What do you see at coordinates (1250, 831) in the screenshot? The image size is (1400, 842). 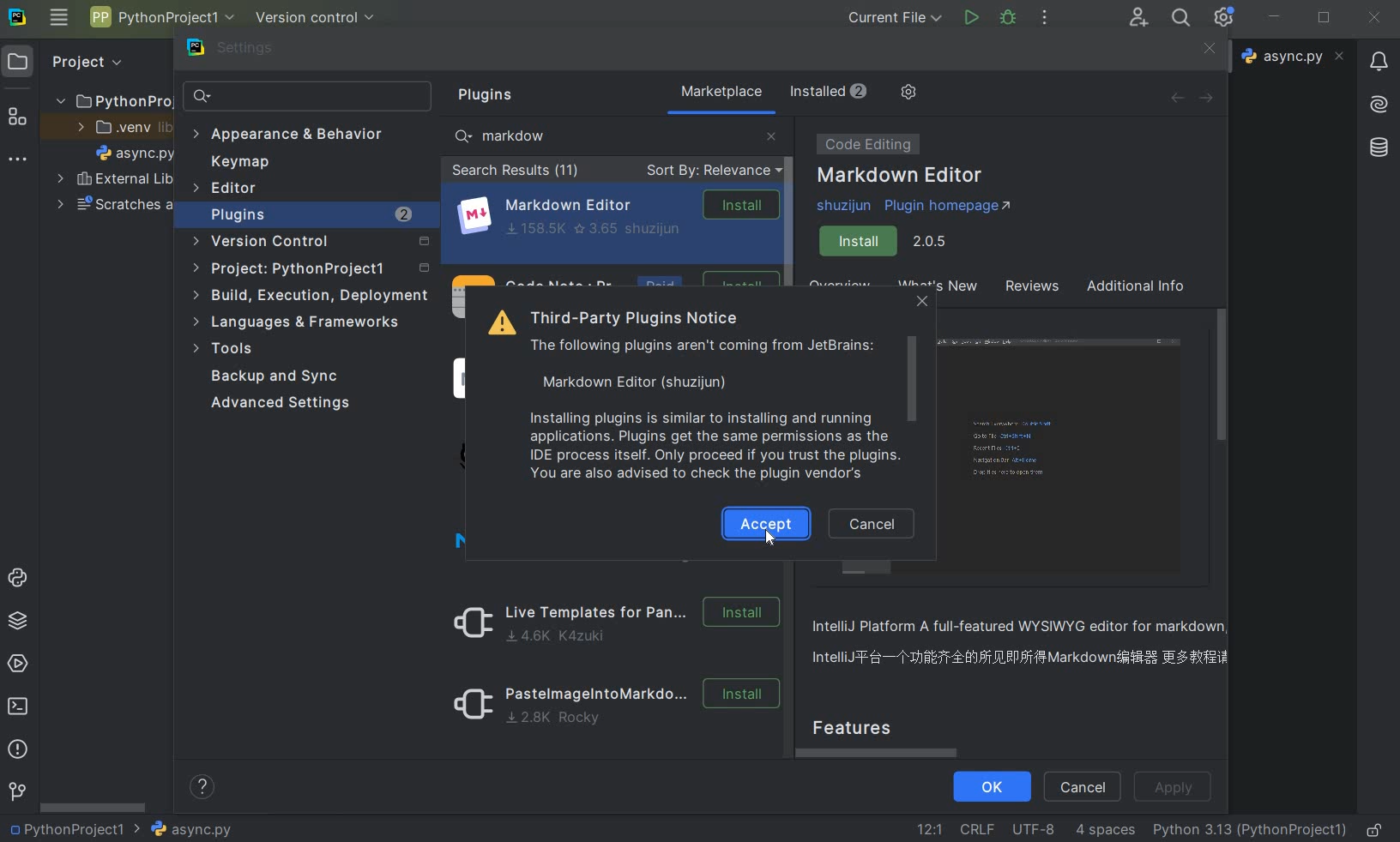 I see `current interpreter` at bounding box center [1250, 831].